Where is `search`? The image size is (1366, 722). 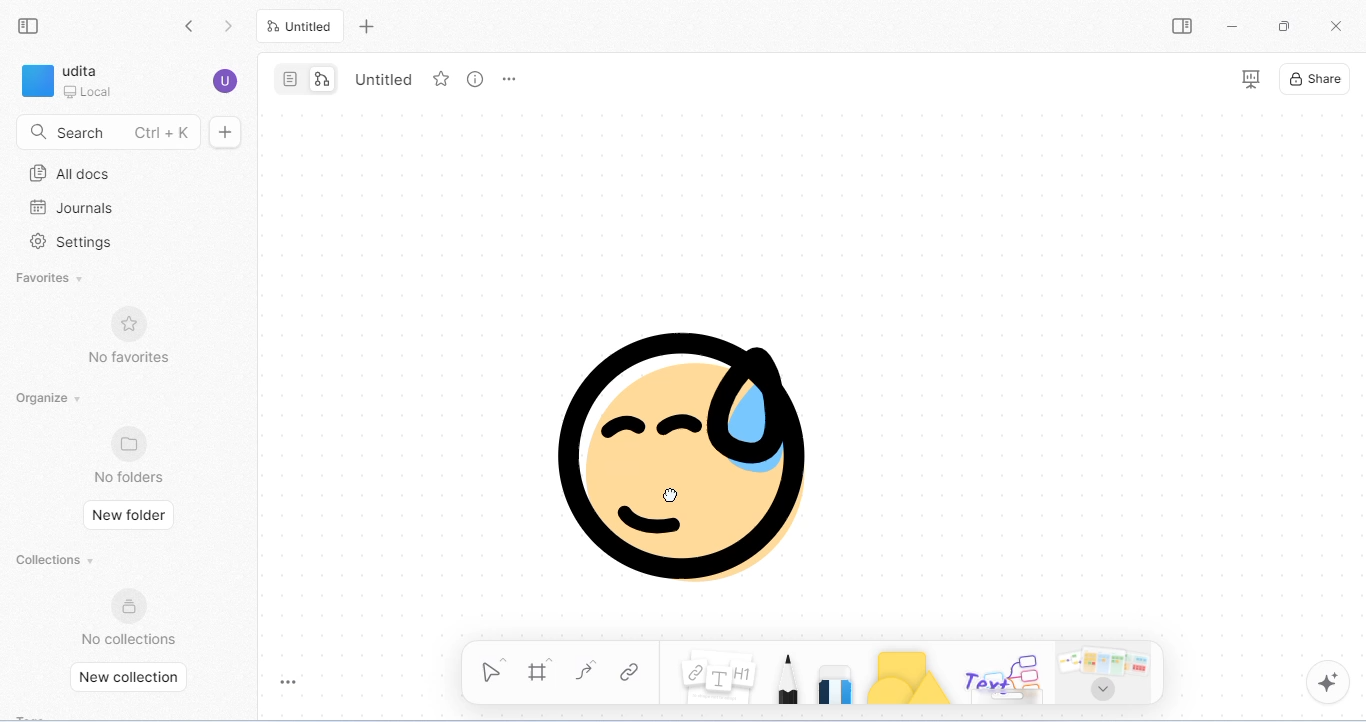
search is located at coordinates (108, 130).